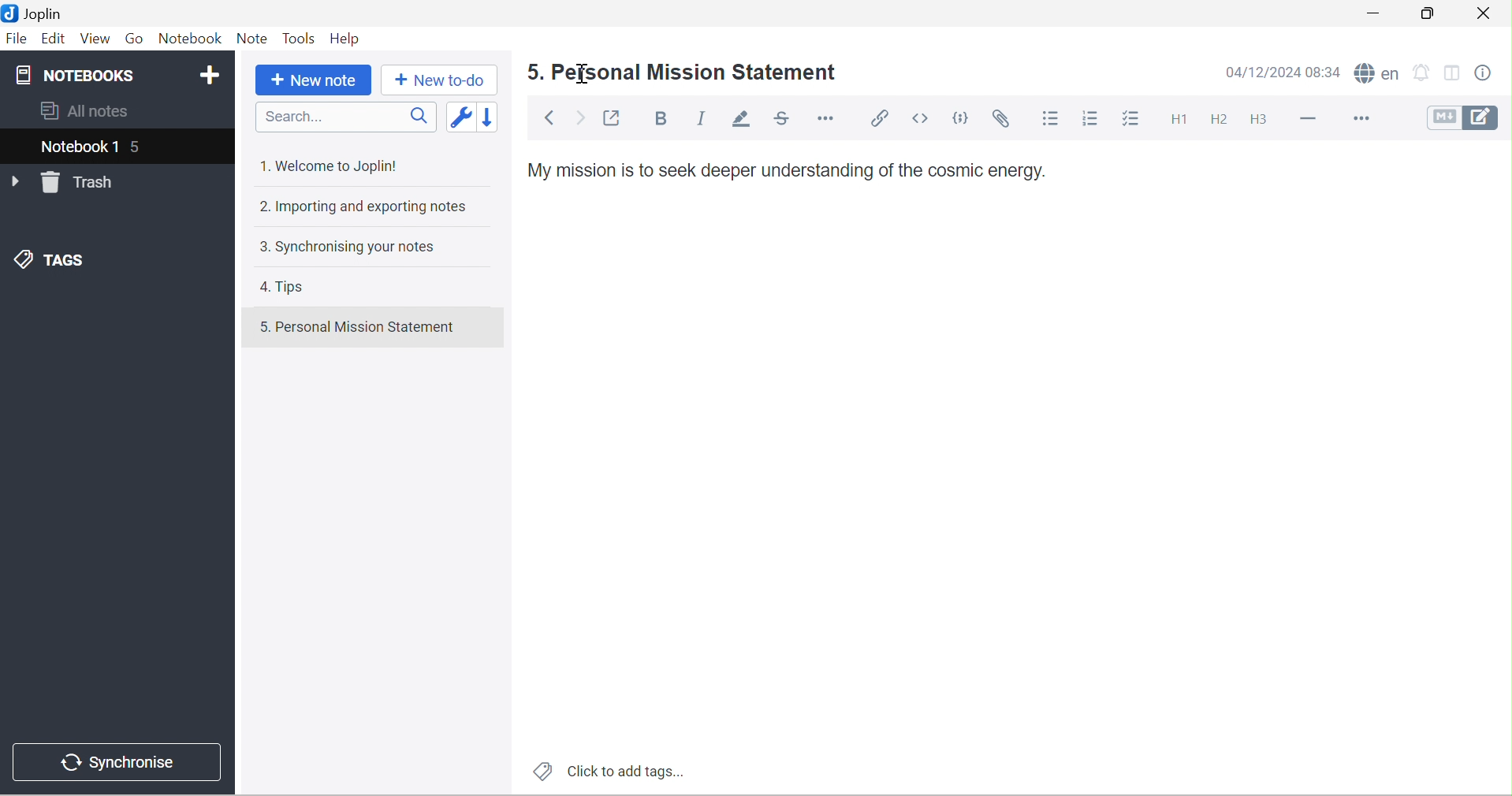 This screenshot has width=1512, height=796. I want to click on All notes, so click(88, 112).